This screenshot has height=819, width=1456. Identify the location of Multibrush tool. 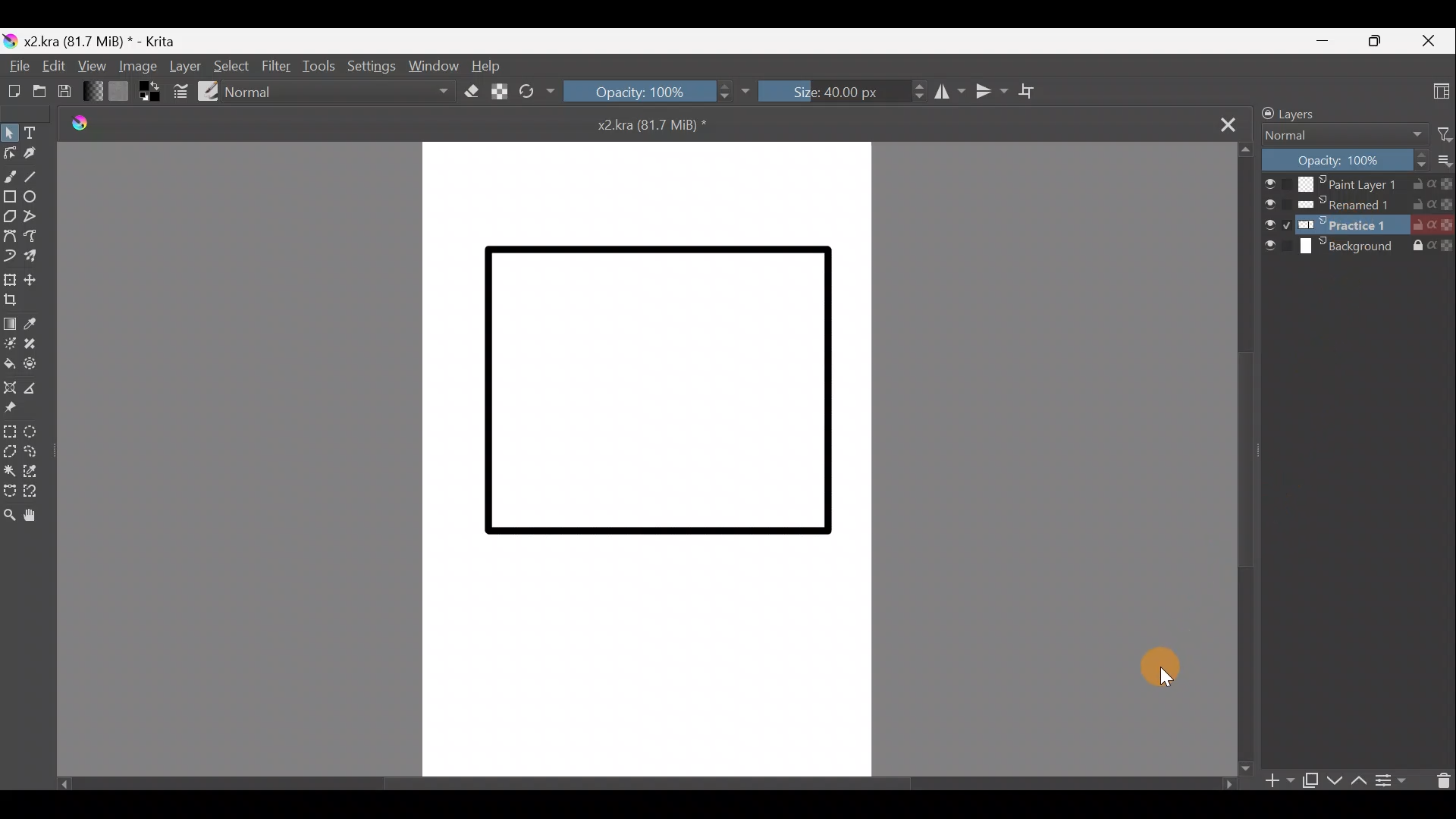
(38, 257).